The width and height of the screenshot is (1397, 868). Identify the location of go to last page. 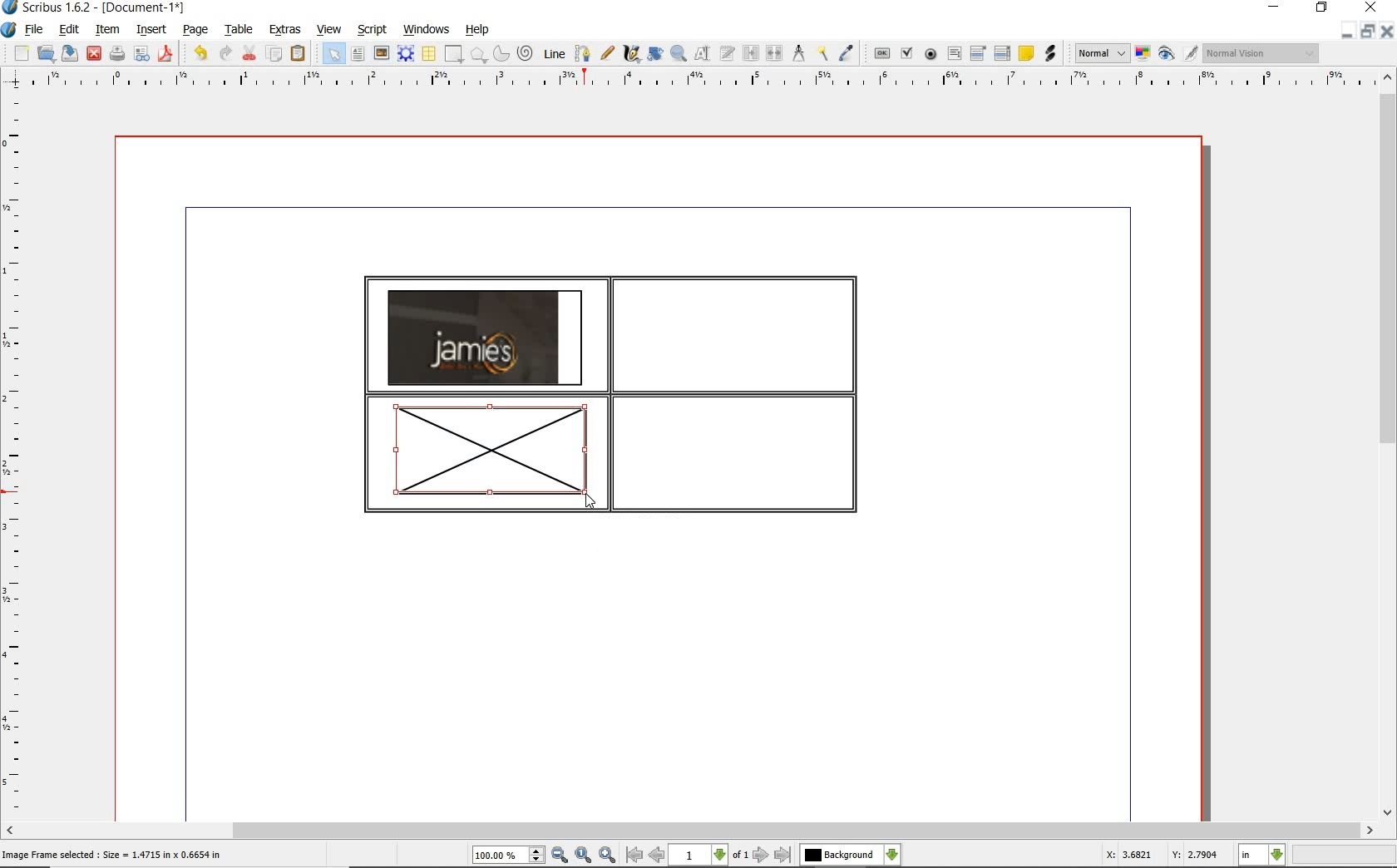
(784, 855).